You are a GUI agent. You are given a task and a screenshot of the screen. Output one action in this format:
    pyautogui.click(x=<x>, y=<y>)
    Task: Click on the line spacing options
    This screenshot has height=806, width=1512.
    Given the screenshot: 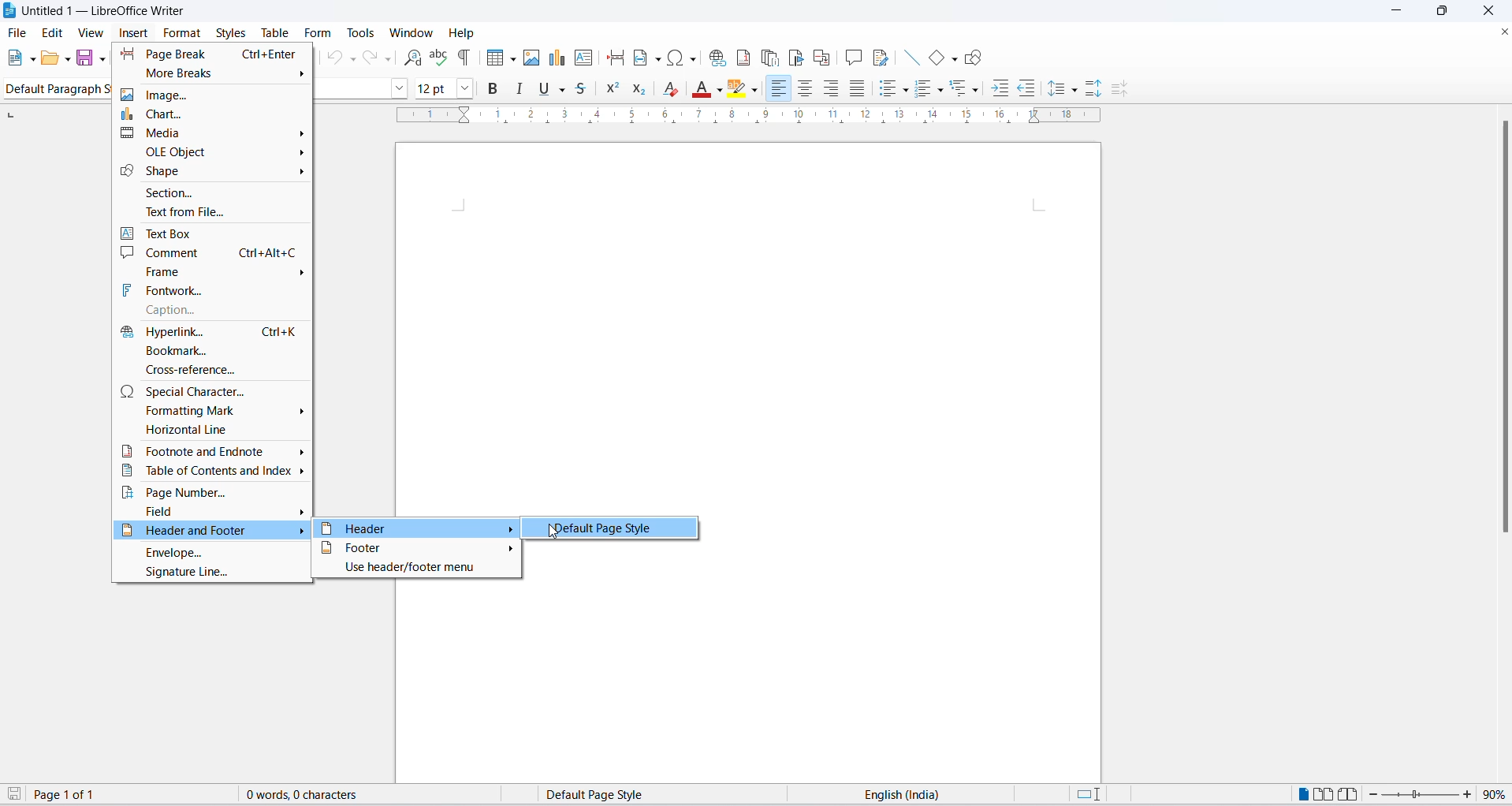 What is the action you would take?
    pyautogui.click(x=1077, y=93)
    